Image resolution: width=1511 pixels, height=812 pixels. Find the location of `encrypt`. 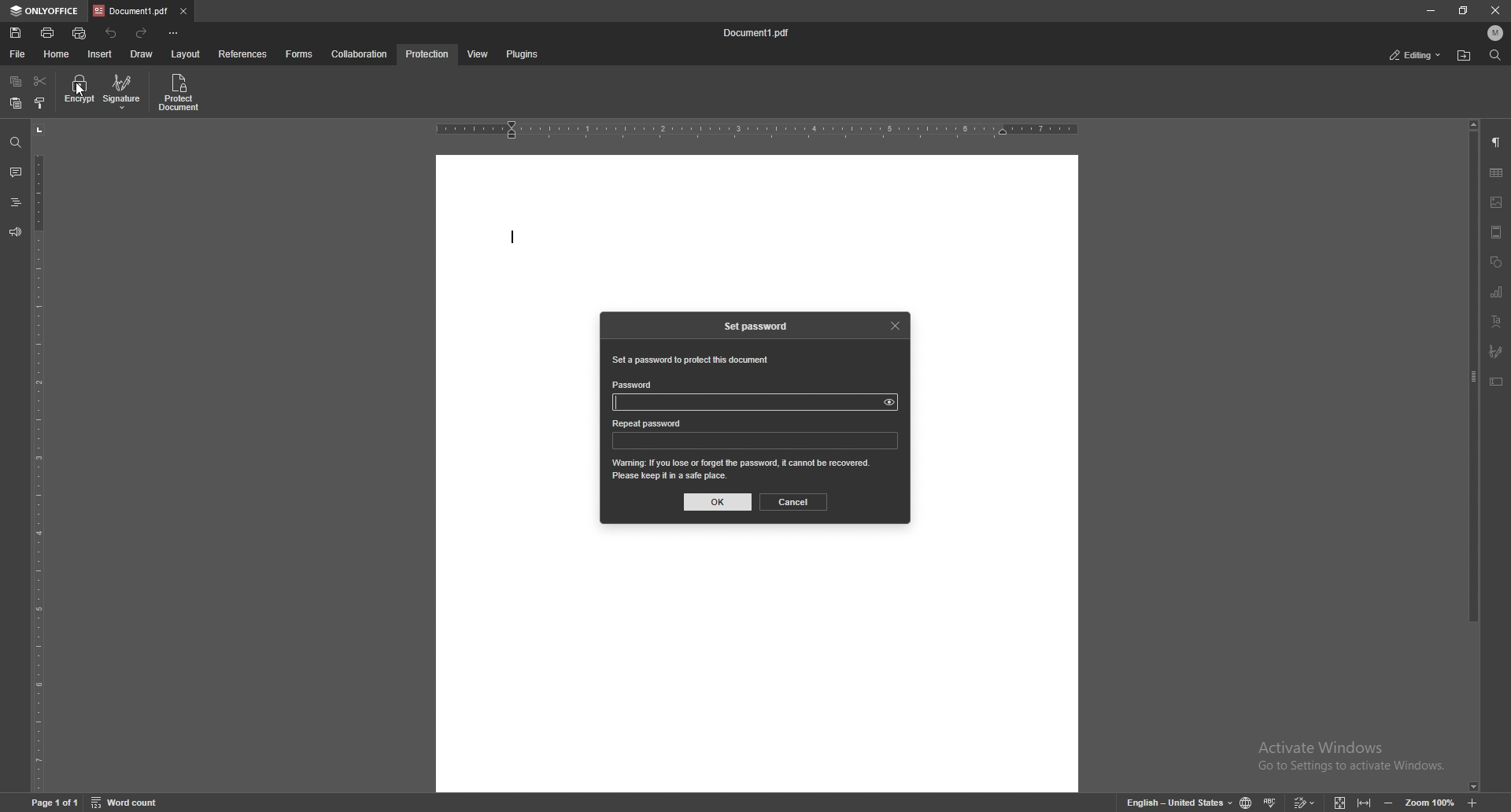

encrypt is located at coordinates (80, 92).